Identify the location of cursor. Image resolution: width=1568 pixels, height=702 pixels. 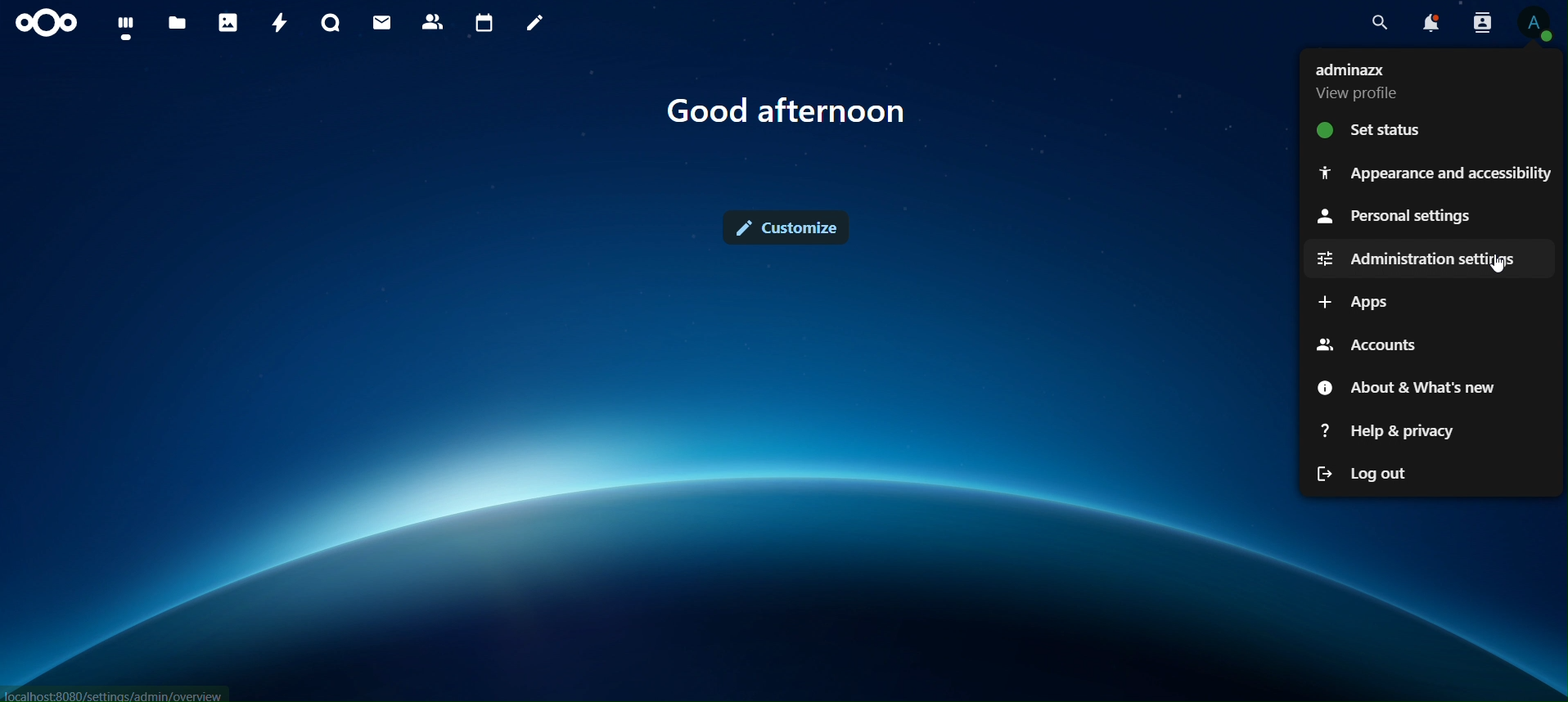
(1498, 266).